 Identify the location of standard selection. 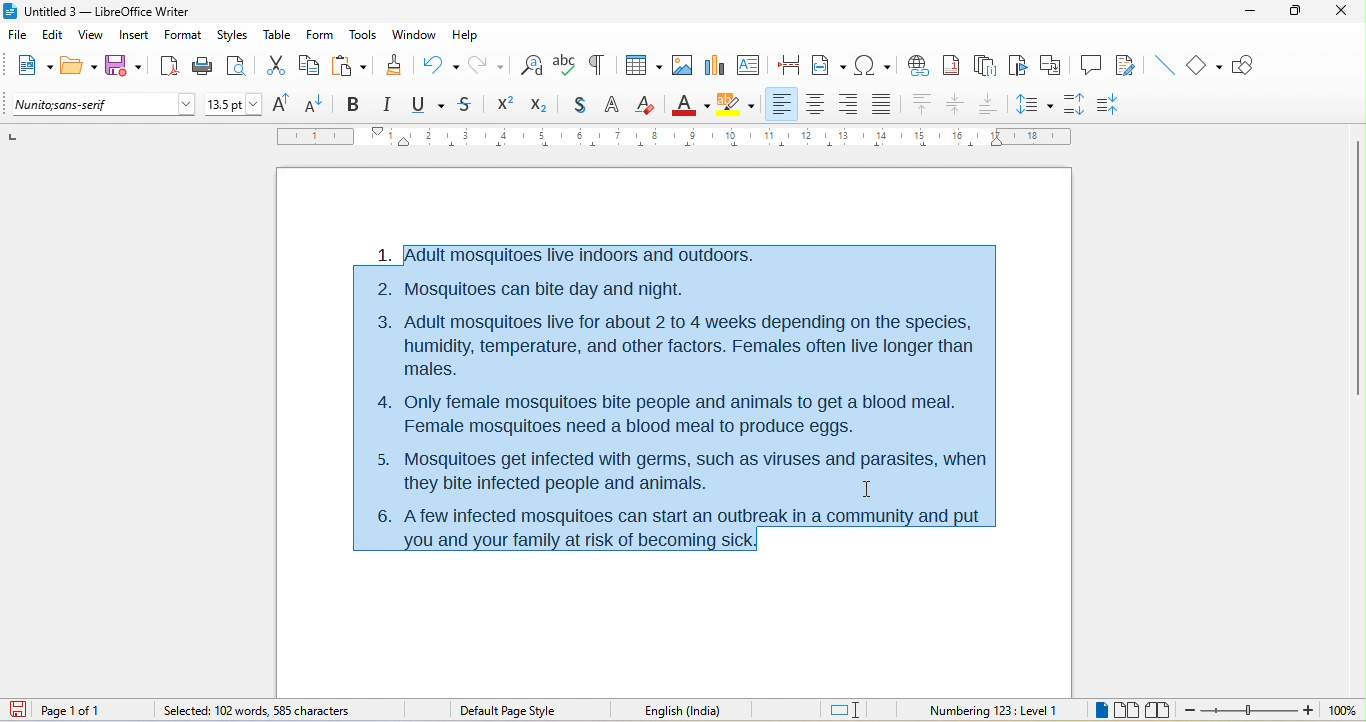
(846, 709).